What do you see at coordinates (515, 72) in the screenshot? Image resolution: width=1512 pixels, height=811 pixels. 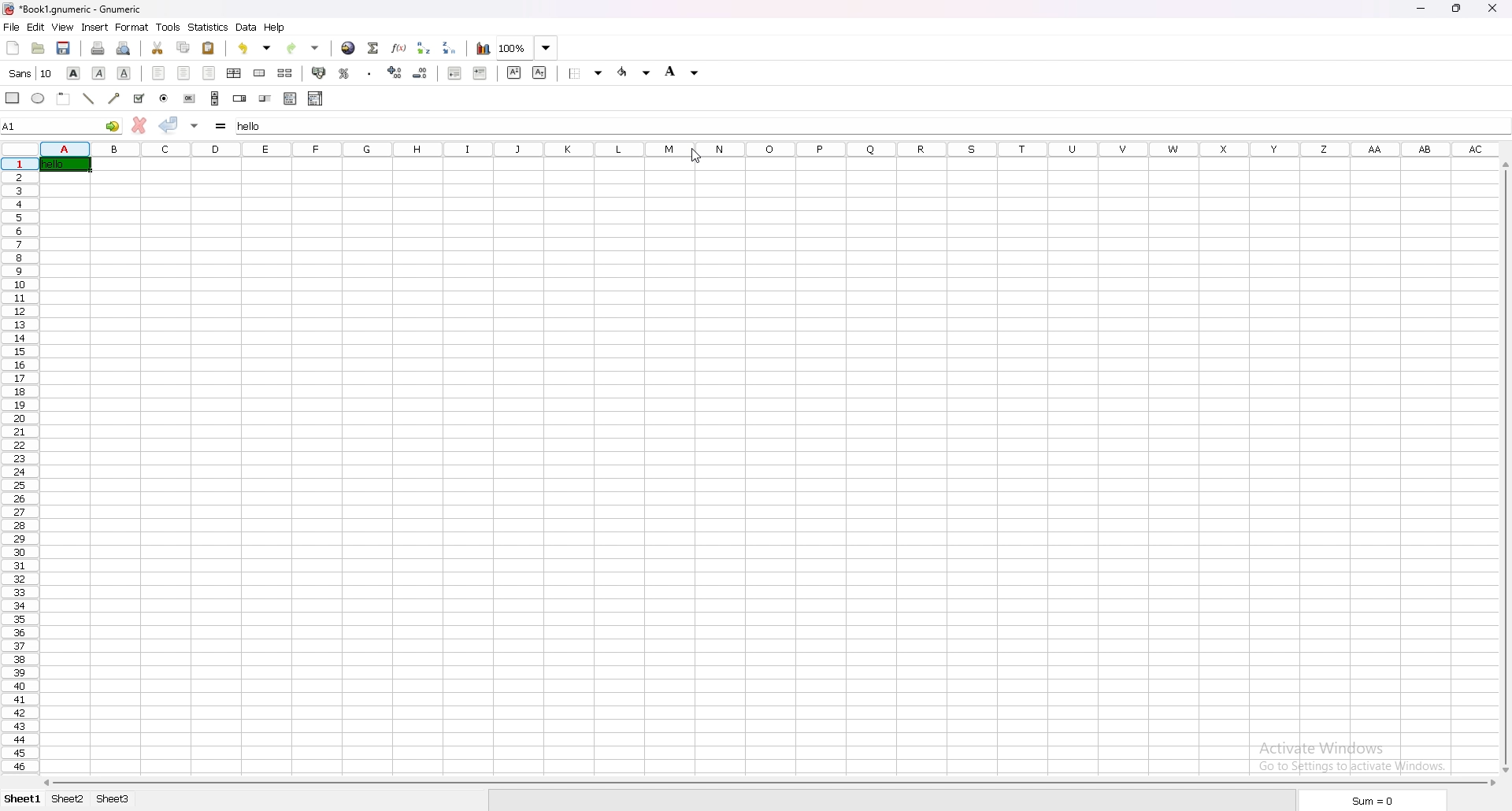 I see `superscript` at bounding box center [515, 72].